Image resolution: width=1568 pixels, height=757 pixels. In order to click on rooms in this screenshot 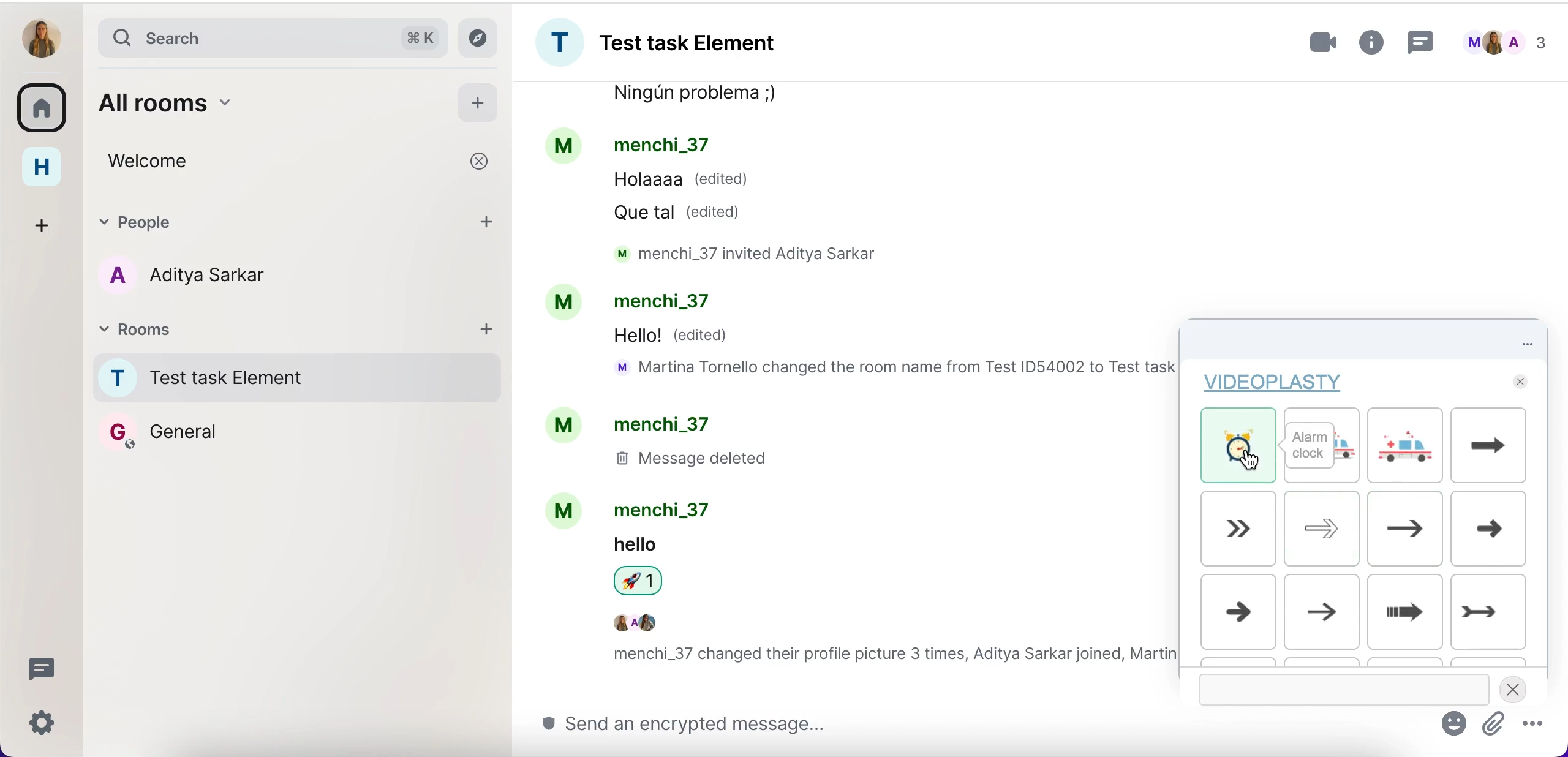, I will do `click(268, 333)`.